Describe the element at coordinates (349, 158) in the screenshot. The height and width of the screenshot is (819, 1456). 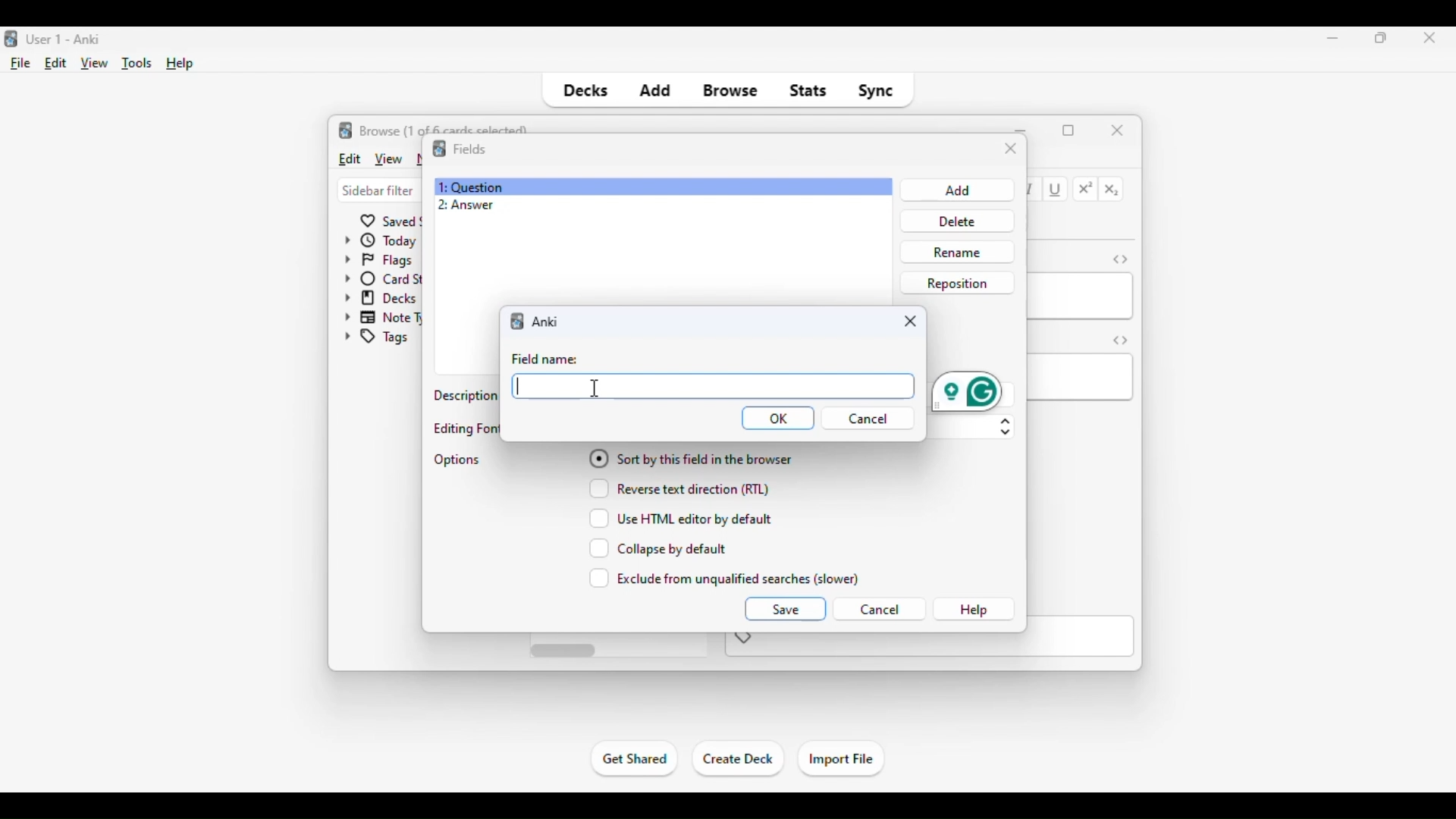
I see `edit` at that location.